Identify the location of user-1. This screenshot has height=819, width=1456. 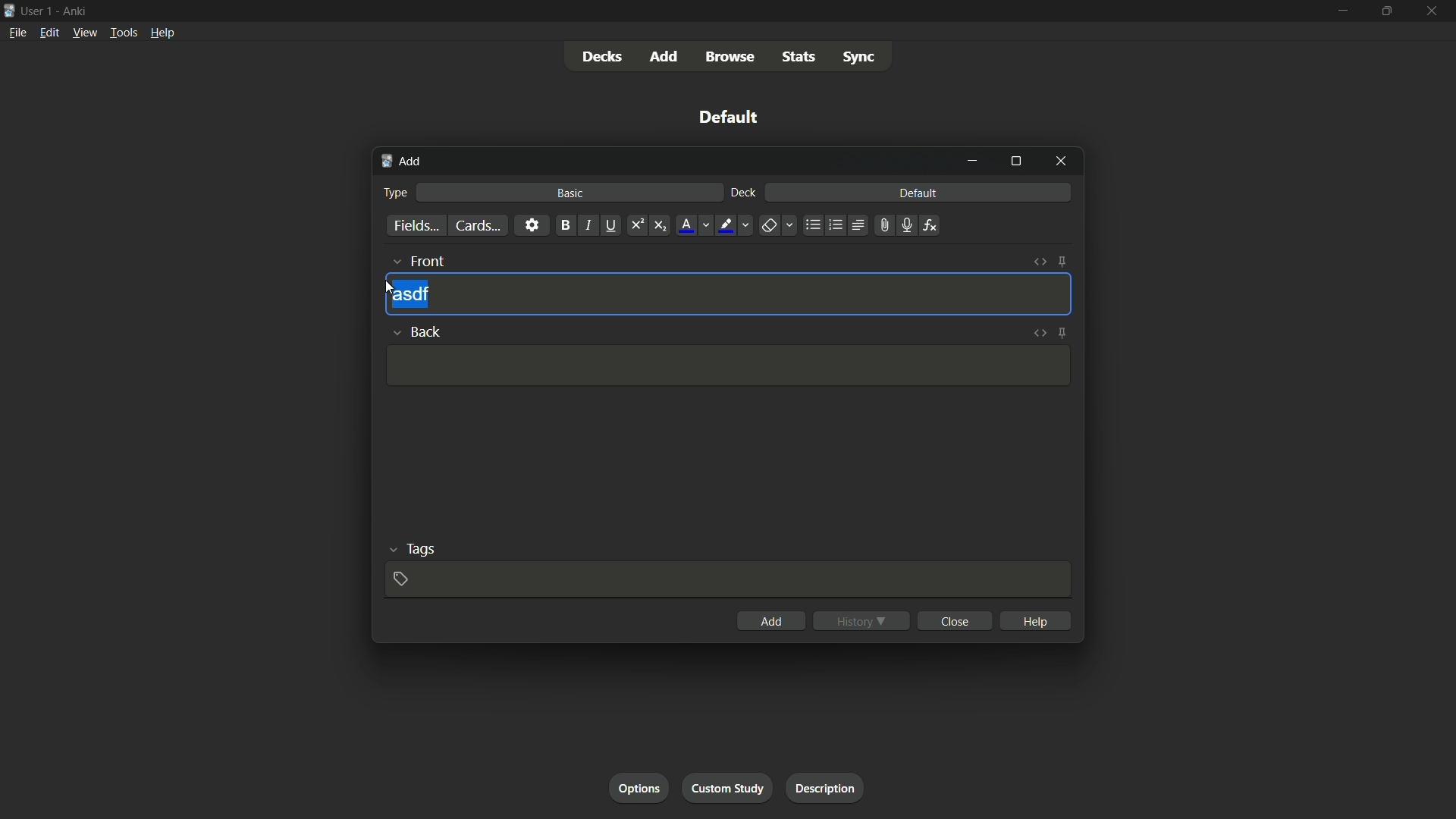
(37, 9).